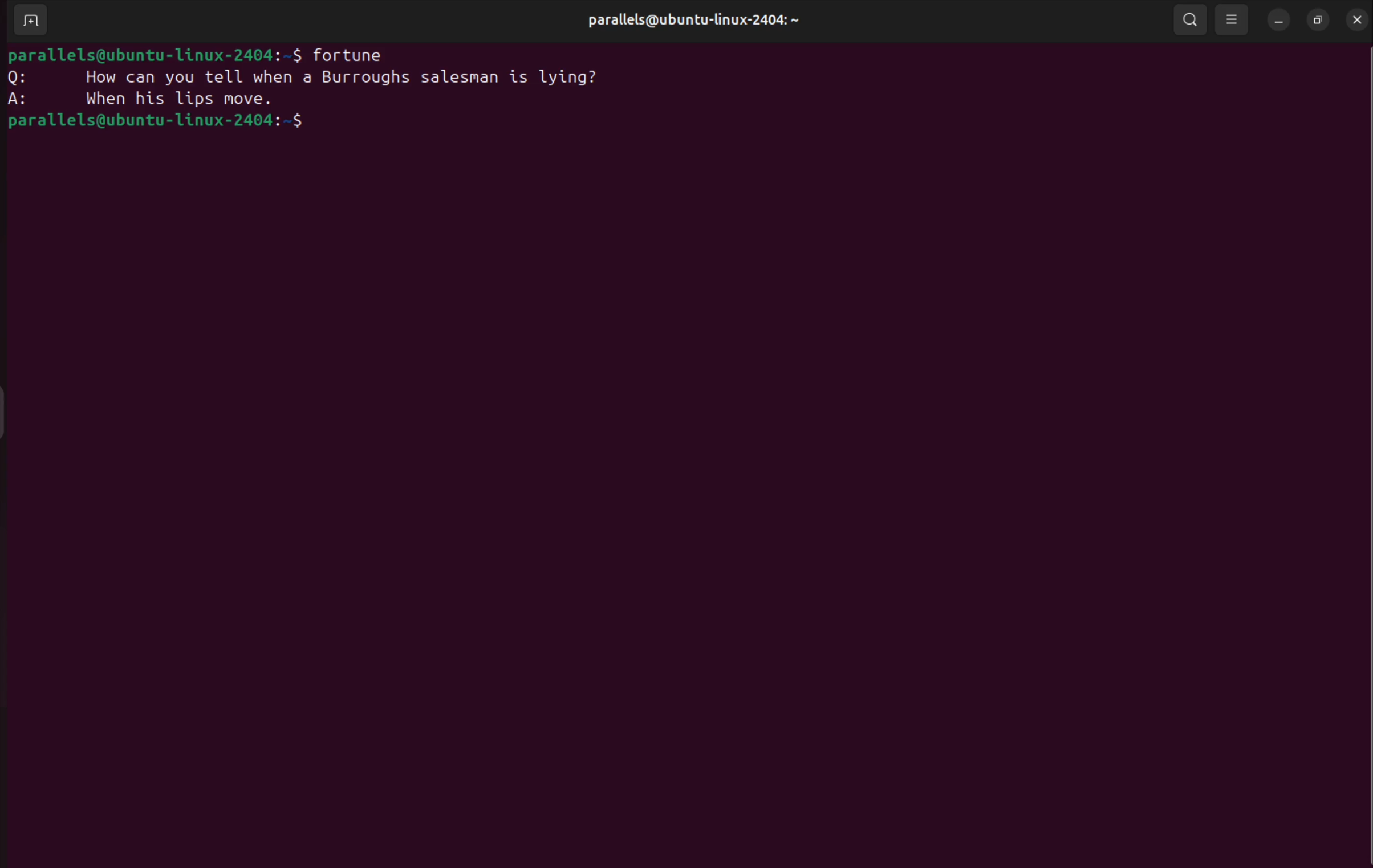  Describe the element at coordinates (155, 124) in the screenshot. I see `bash prompt` at that location.